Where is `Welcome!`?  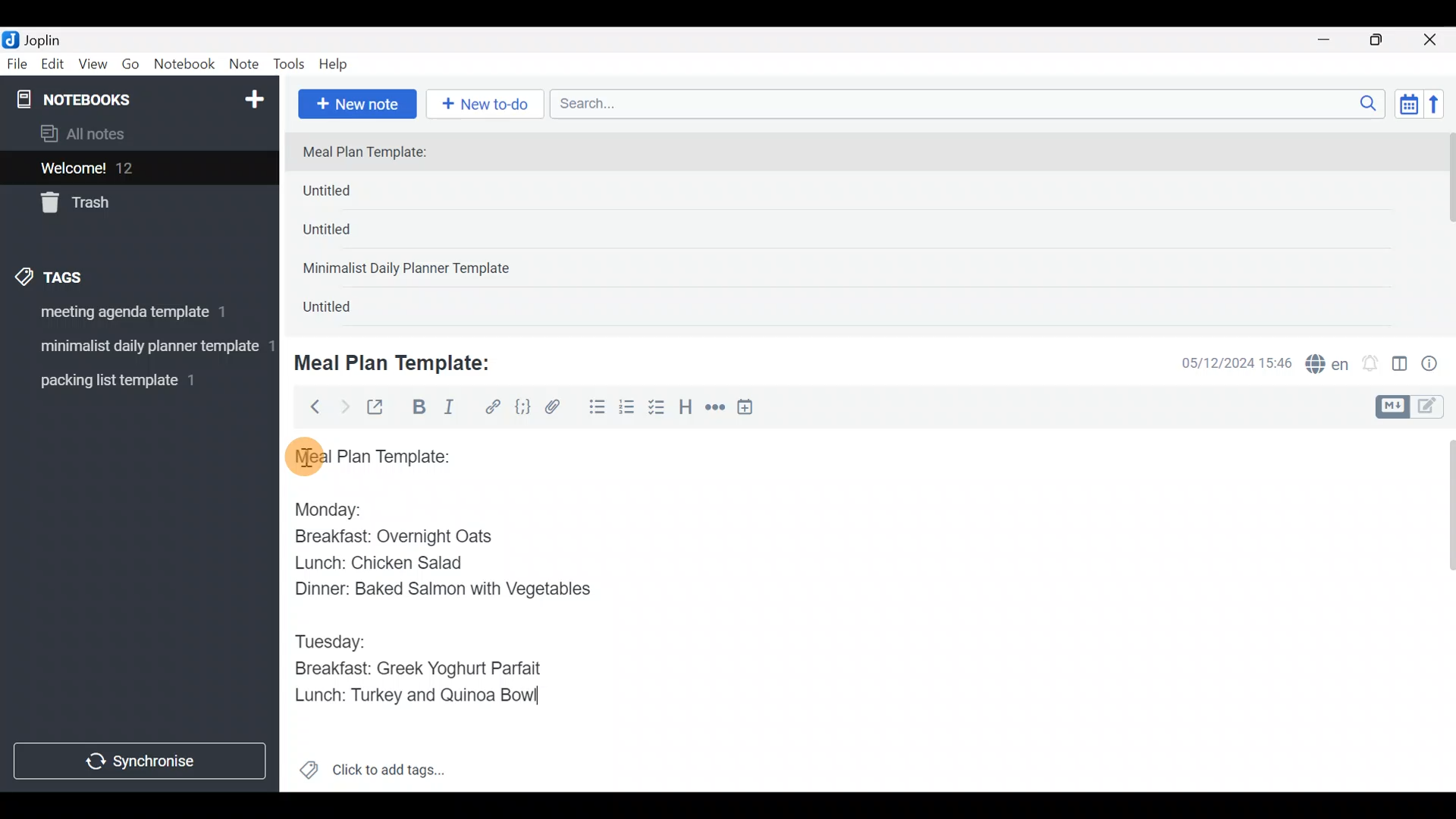
Welcome! is located at coordinates (137, 169).